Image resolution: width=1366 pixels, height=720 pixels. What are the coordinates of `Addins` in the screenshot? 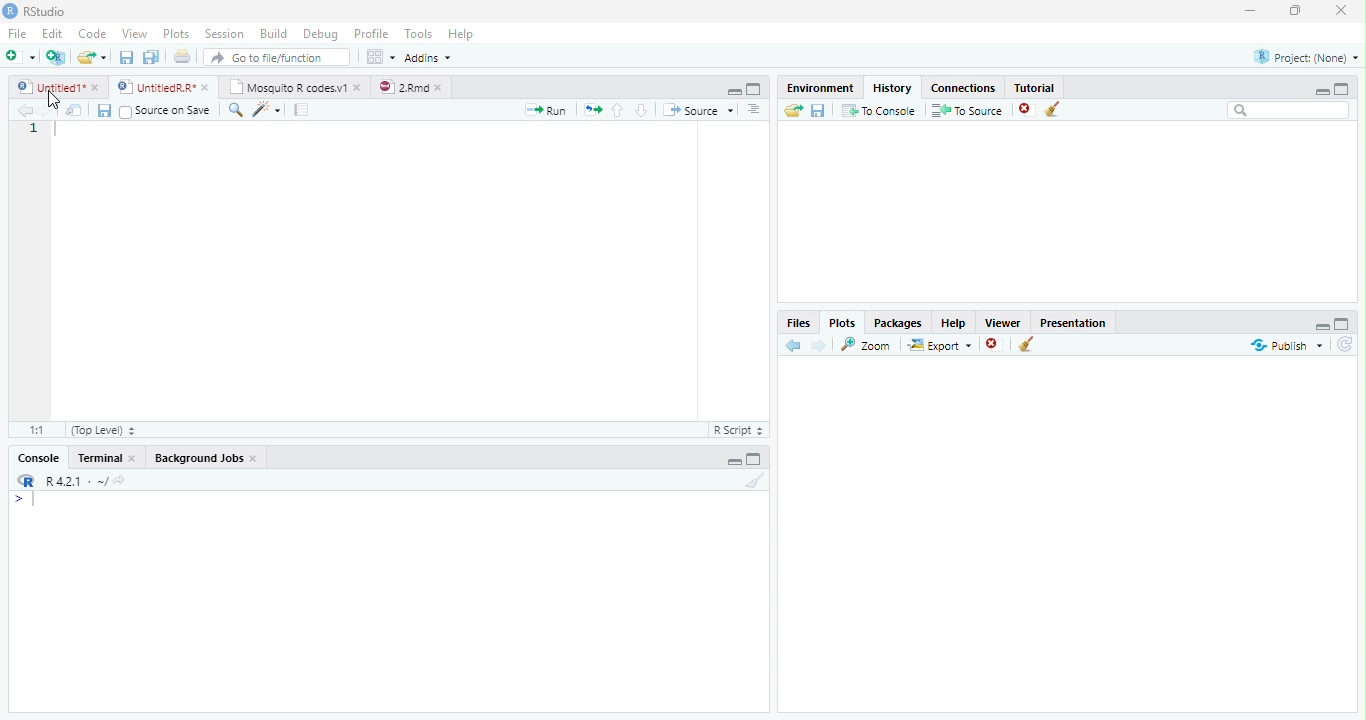 It's located at (431, 56).